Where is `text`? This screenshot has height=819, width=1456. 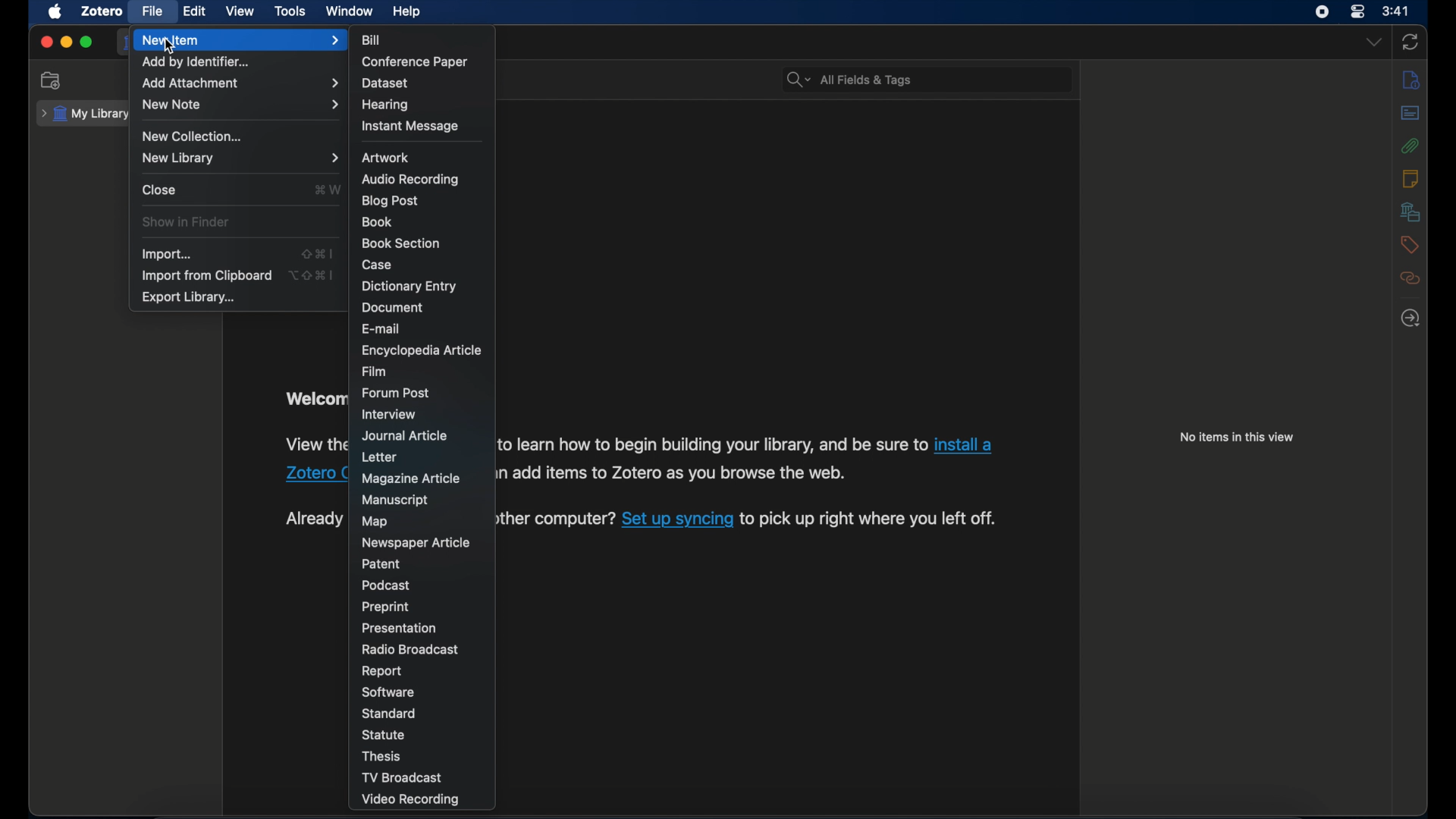 text is located at coordinates (551, 520).